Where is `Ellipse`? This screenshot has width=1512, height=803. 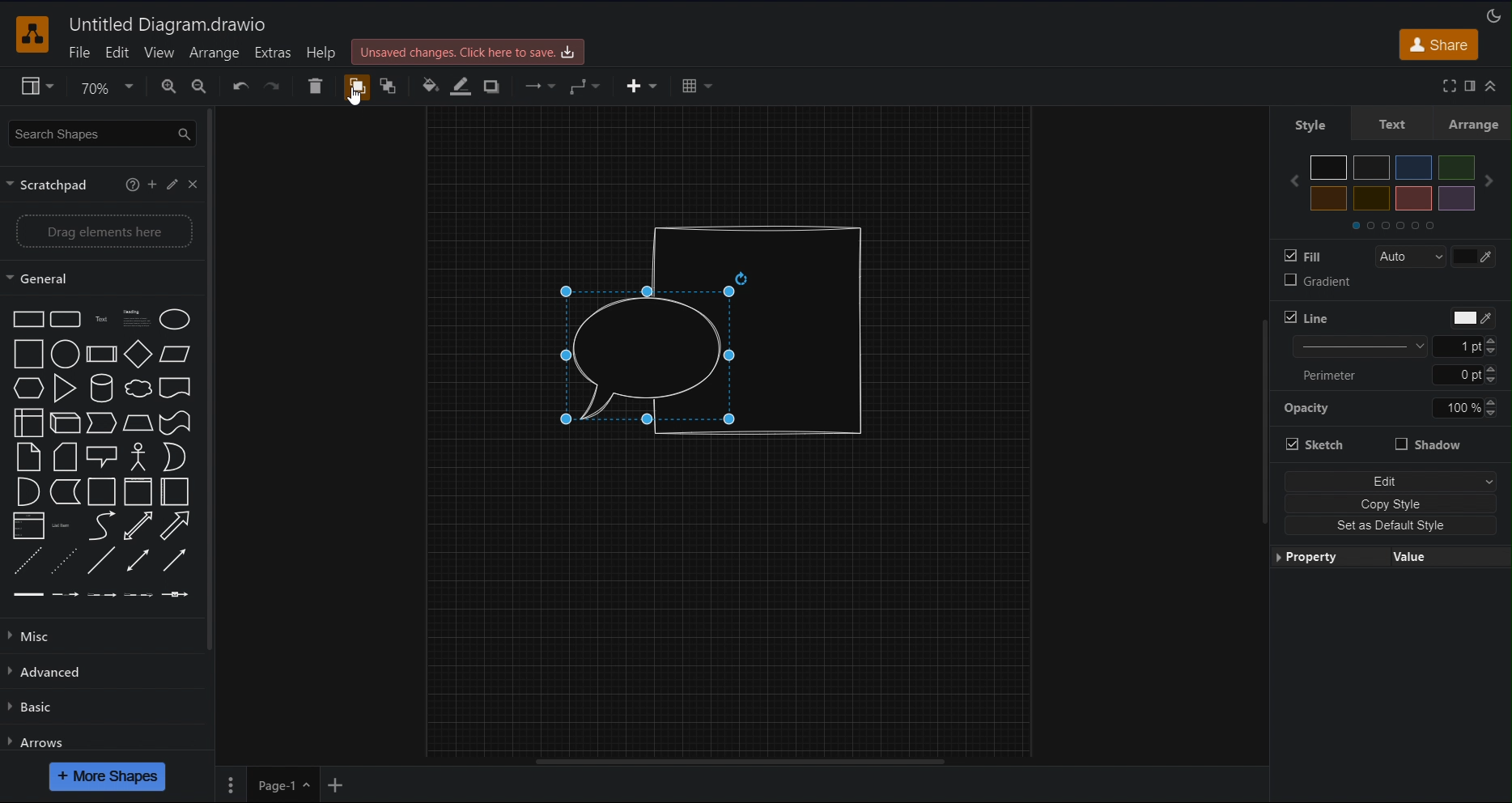
Ellipse is located at coordinates (175, 320).